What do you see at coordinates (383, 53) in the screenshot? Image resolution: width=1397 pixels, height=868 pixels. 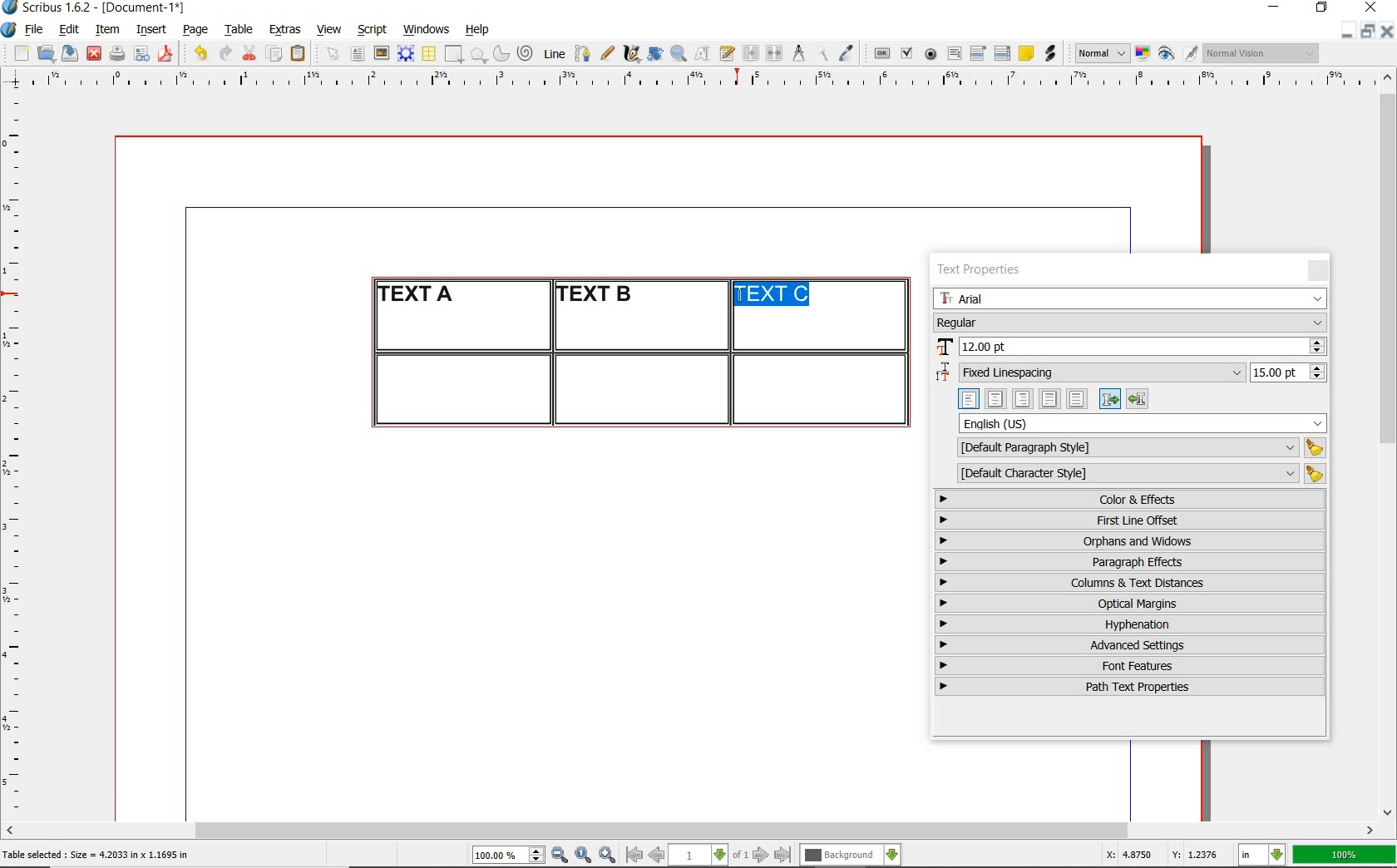 I see `image frame` at bounding box center [383, 53].